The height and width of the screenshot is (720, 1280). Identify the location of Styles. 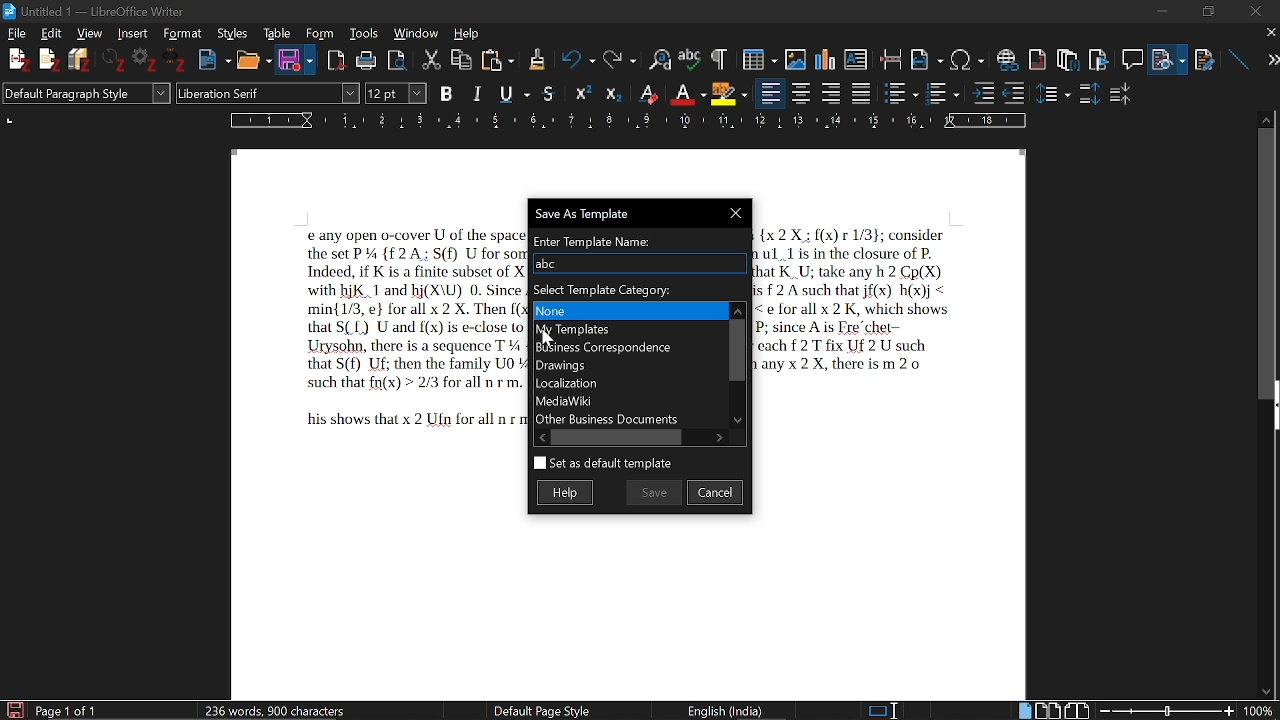
(231, 34).